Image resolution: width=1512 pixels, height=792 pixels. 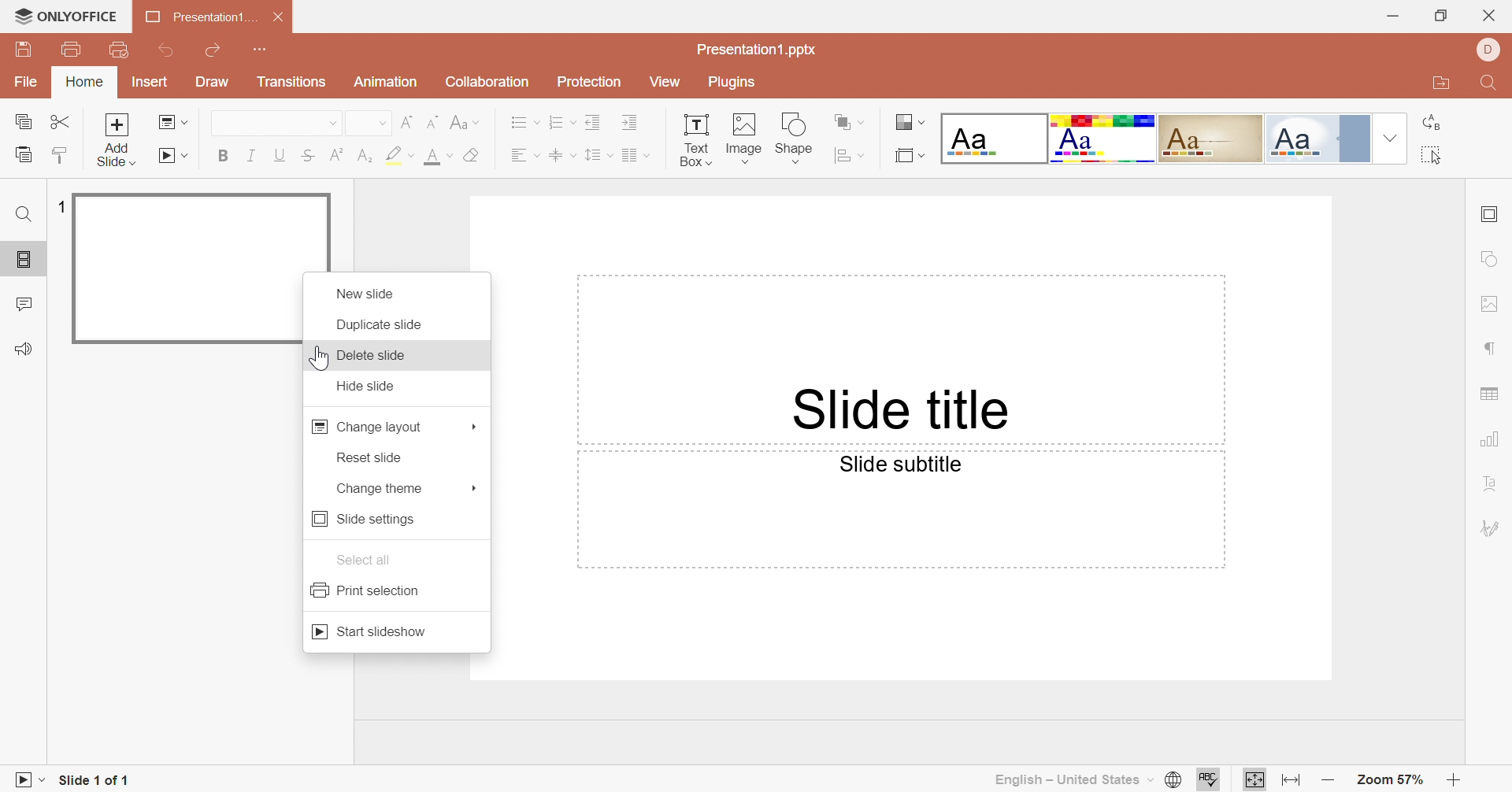 What do you see at coordinates (366, 588) in the screenshot?
I see `Print selection` at bounding box center [366, 588].